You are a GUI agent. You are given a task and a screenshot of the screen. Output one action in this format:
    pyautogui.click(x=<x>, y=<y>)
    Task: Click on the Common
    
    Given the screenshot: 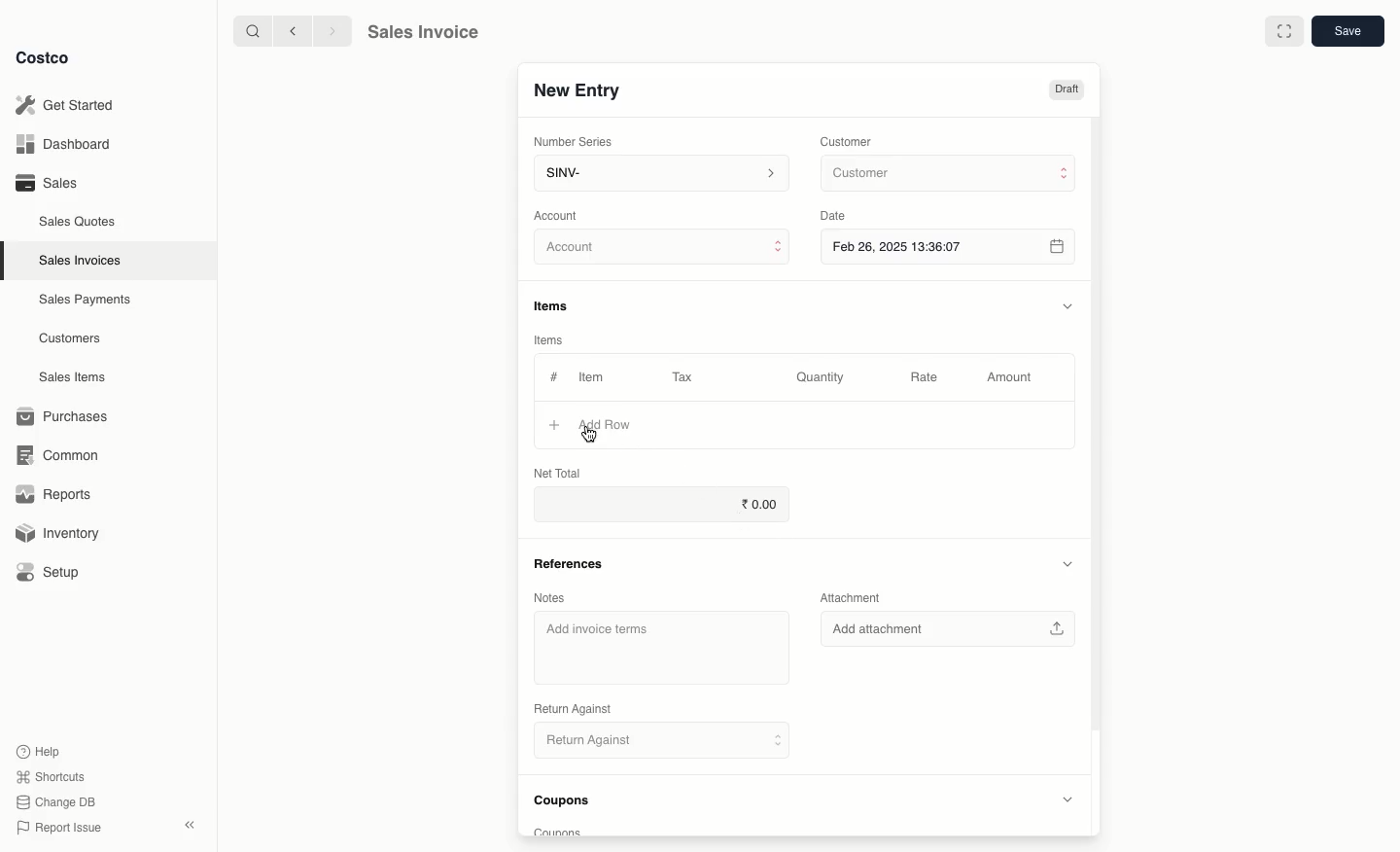 What is the action you would take?
    pyautogui.click(x=66, y=455)
    